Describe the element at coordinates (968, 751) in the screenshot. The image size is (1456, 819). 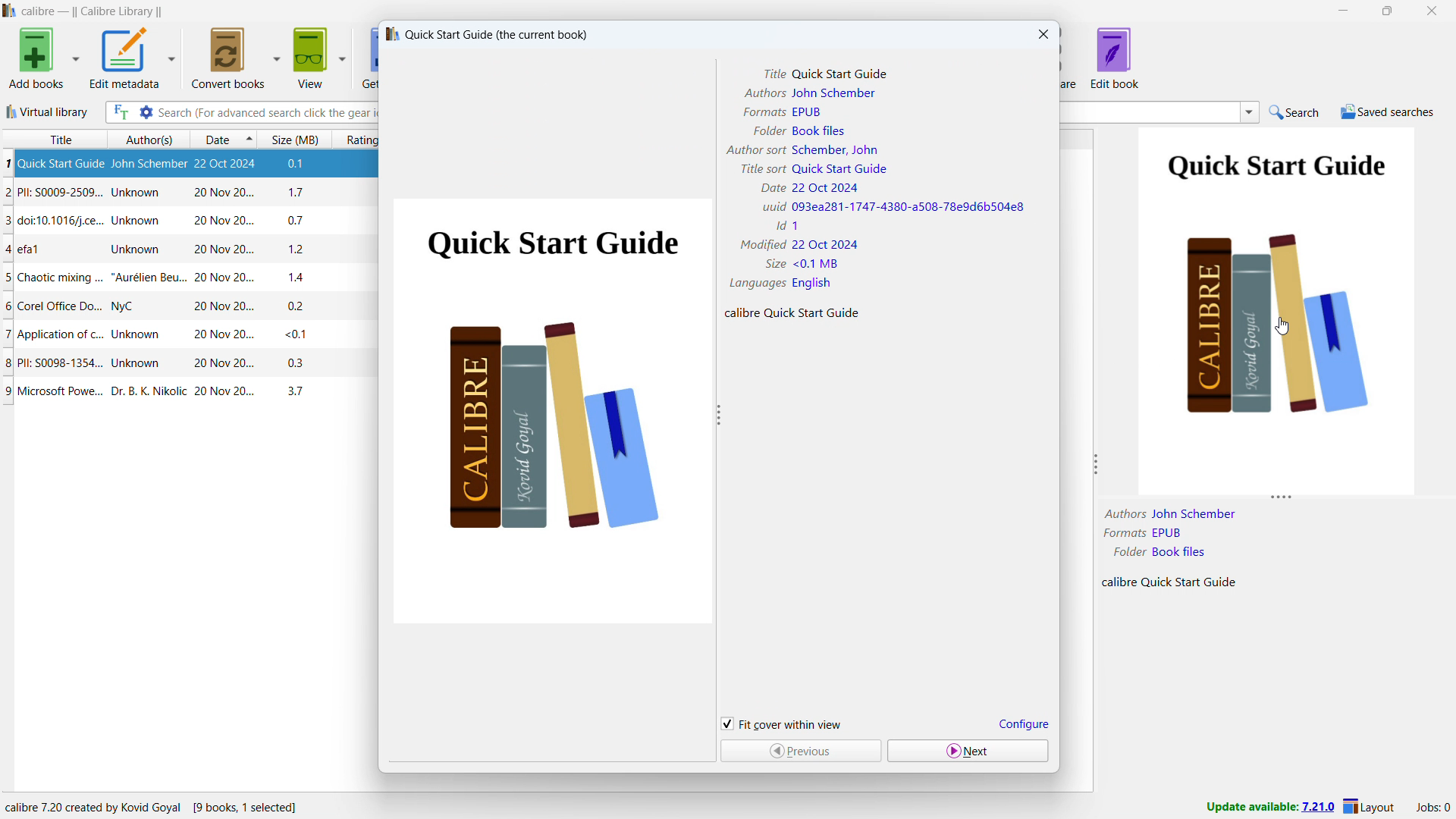
I see `next book` at that location.